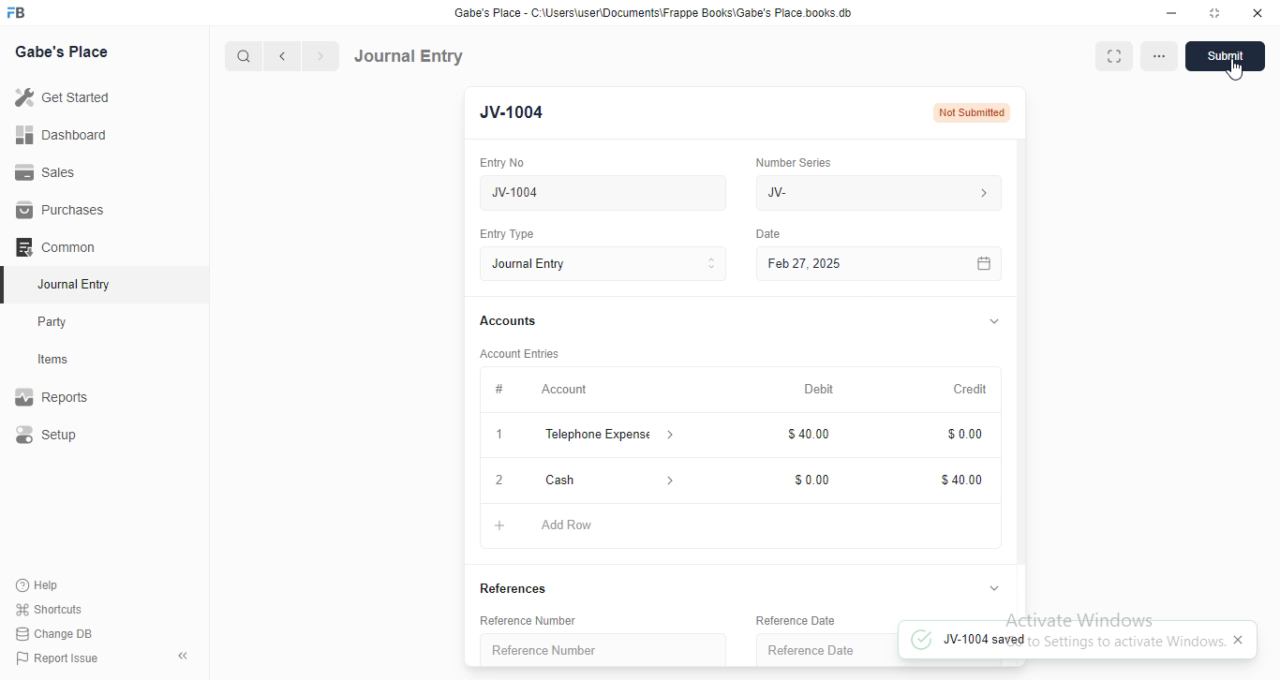 Image resolution: width=1280 pixels, height=680 pixels. What do you see at coordinates (971, 390) in the screenshot?
I see `Credit` at bounding box center [971, 390].